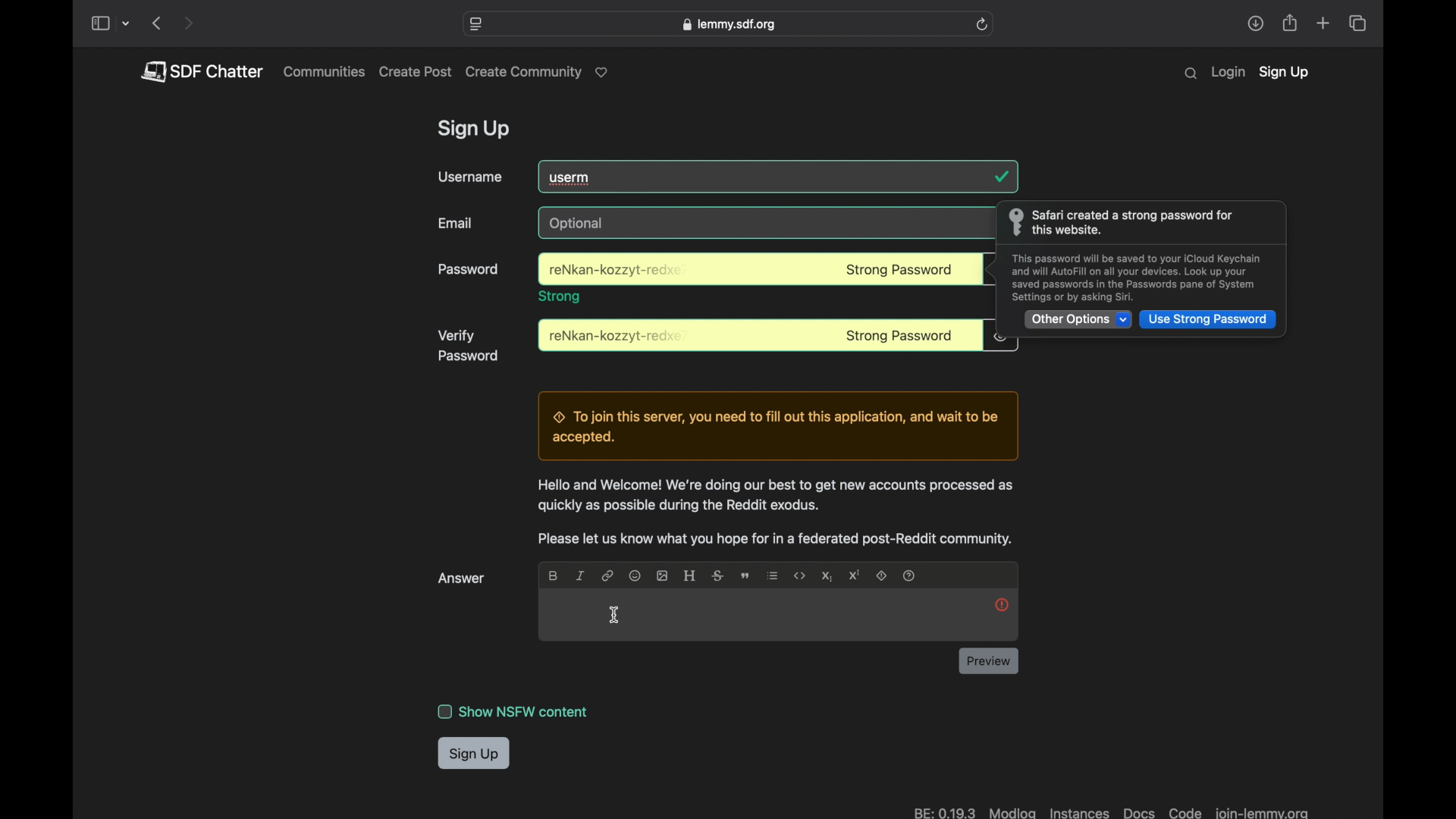 This screenshot has width=1456, height=819. Describe the element at coordinates (883, 576) in the screenshot. I see `spoiler` at that location.